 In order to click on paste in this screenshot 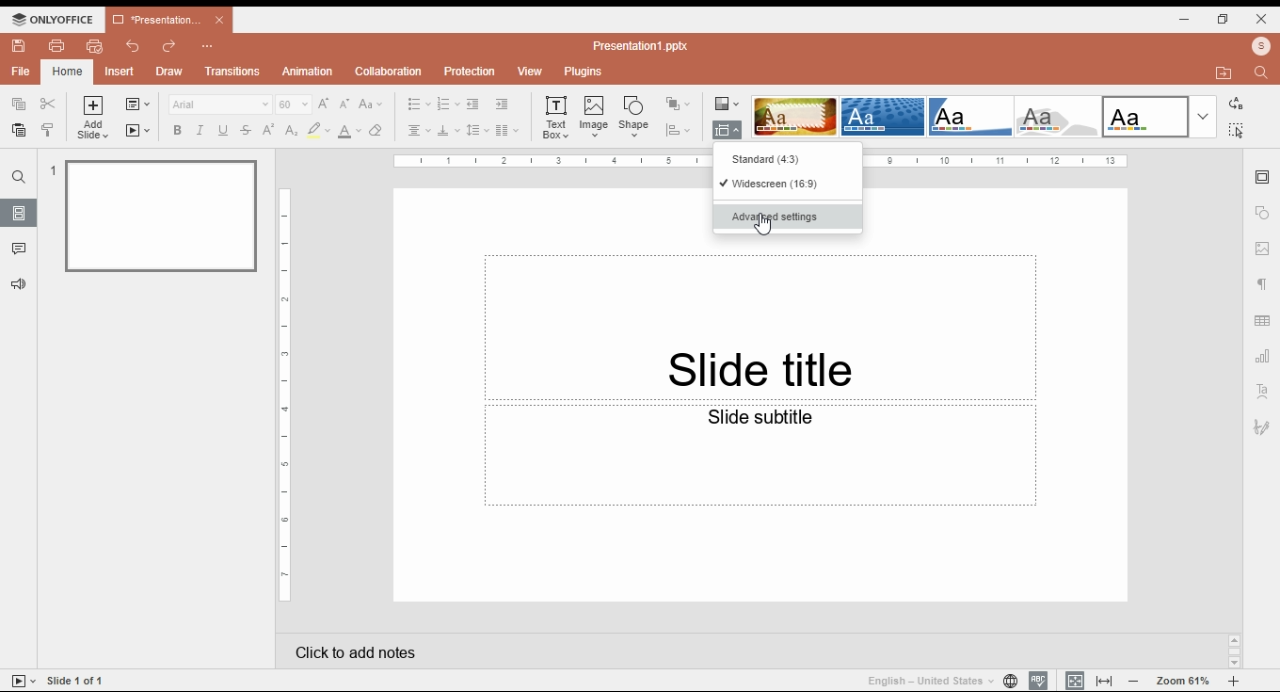, I will do `click(17, 130)`.